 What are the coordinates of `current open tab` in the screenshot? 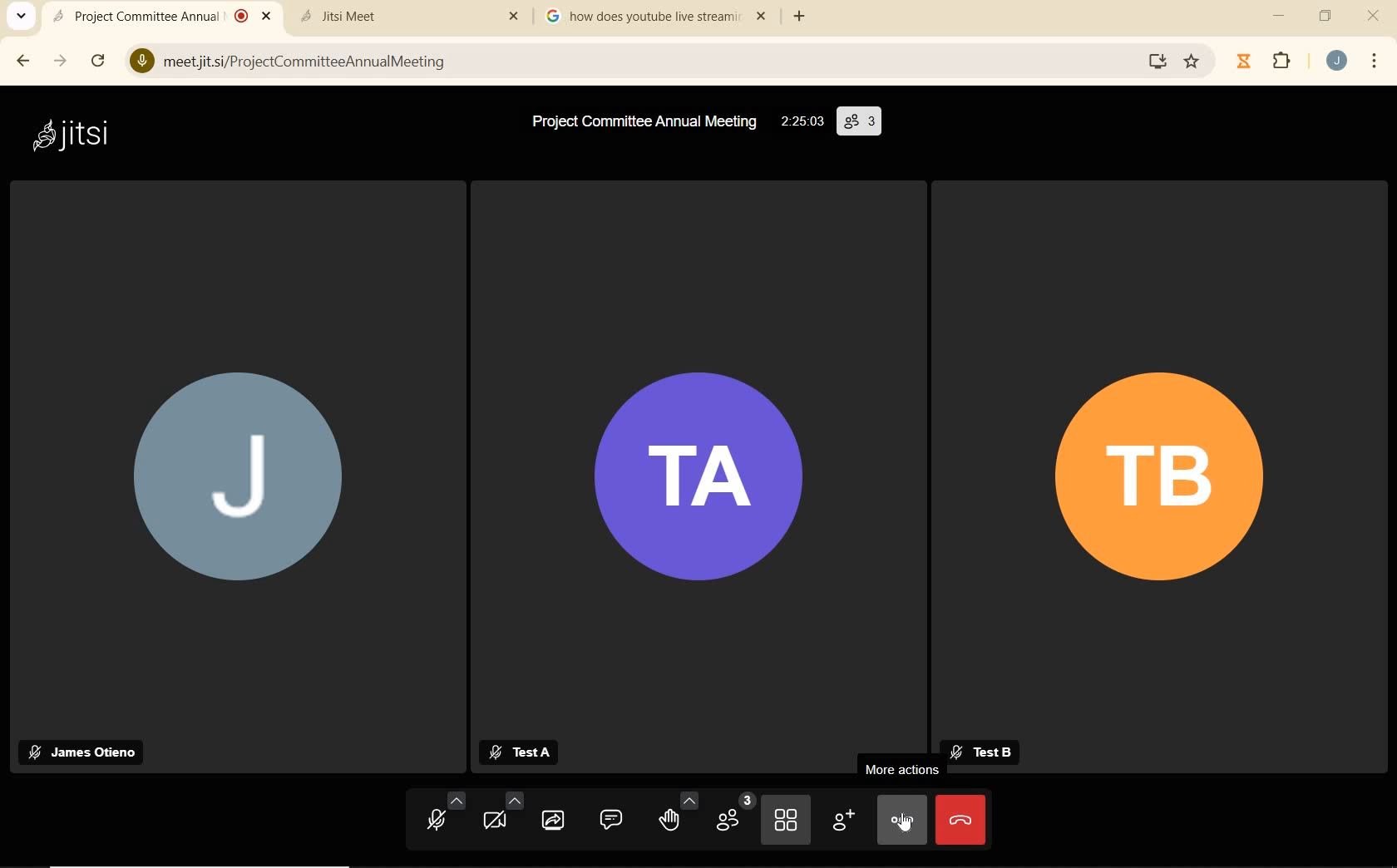 It's located at (146, 16).